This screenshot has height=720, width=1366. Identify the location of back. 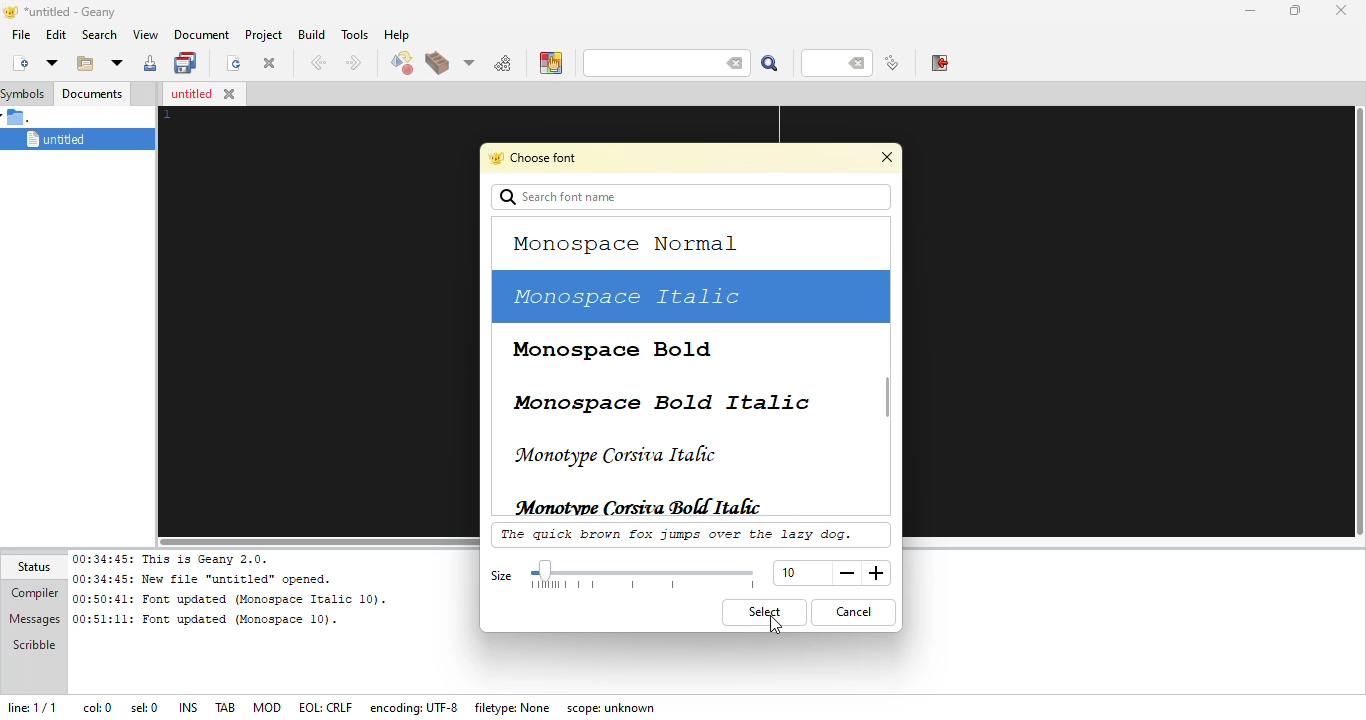
(317, 63).